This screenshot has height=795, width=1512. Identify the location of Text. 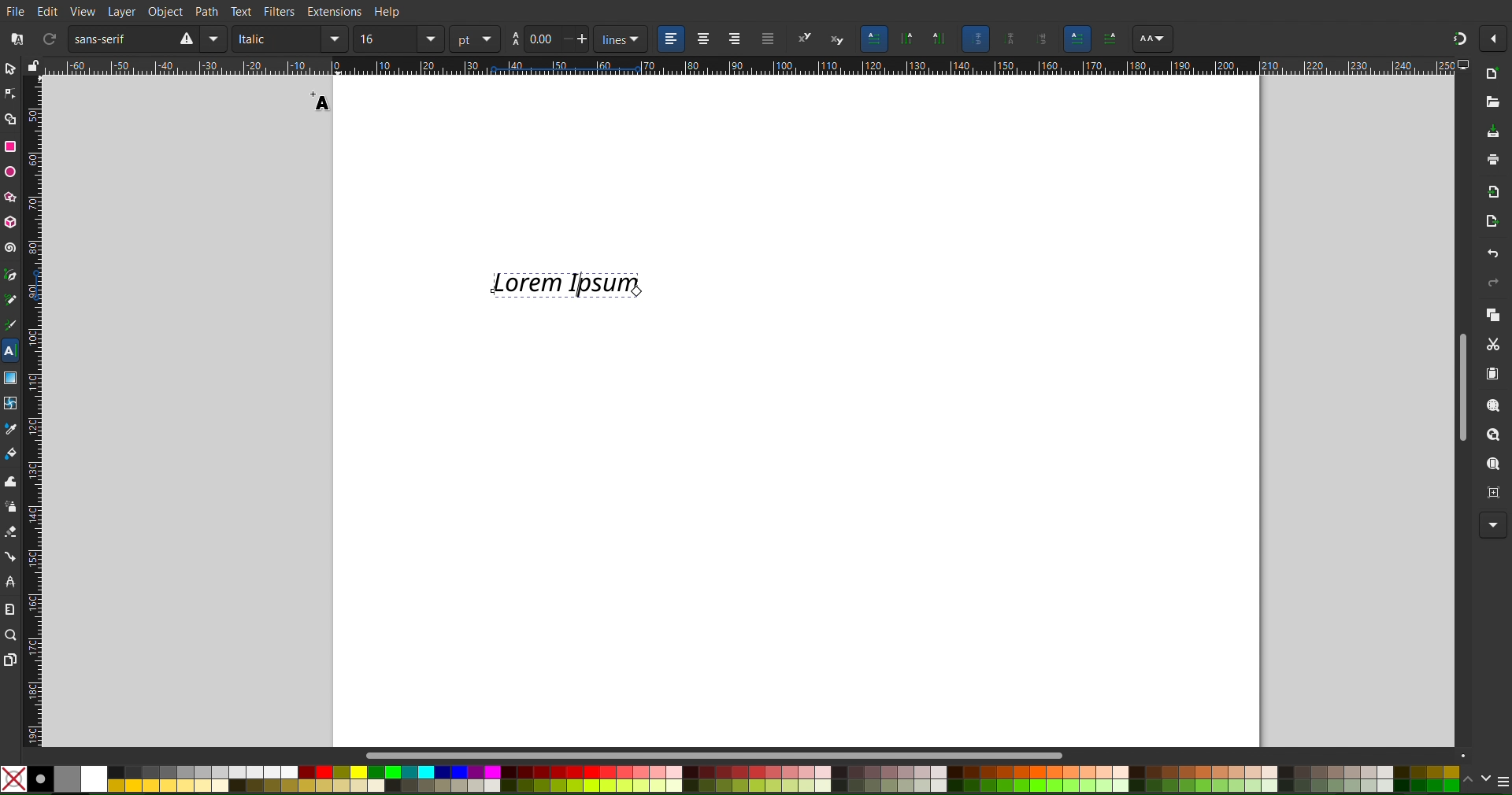
(242, 11).